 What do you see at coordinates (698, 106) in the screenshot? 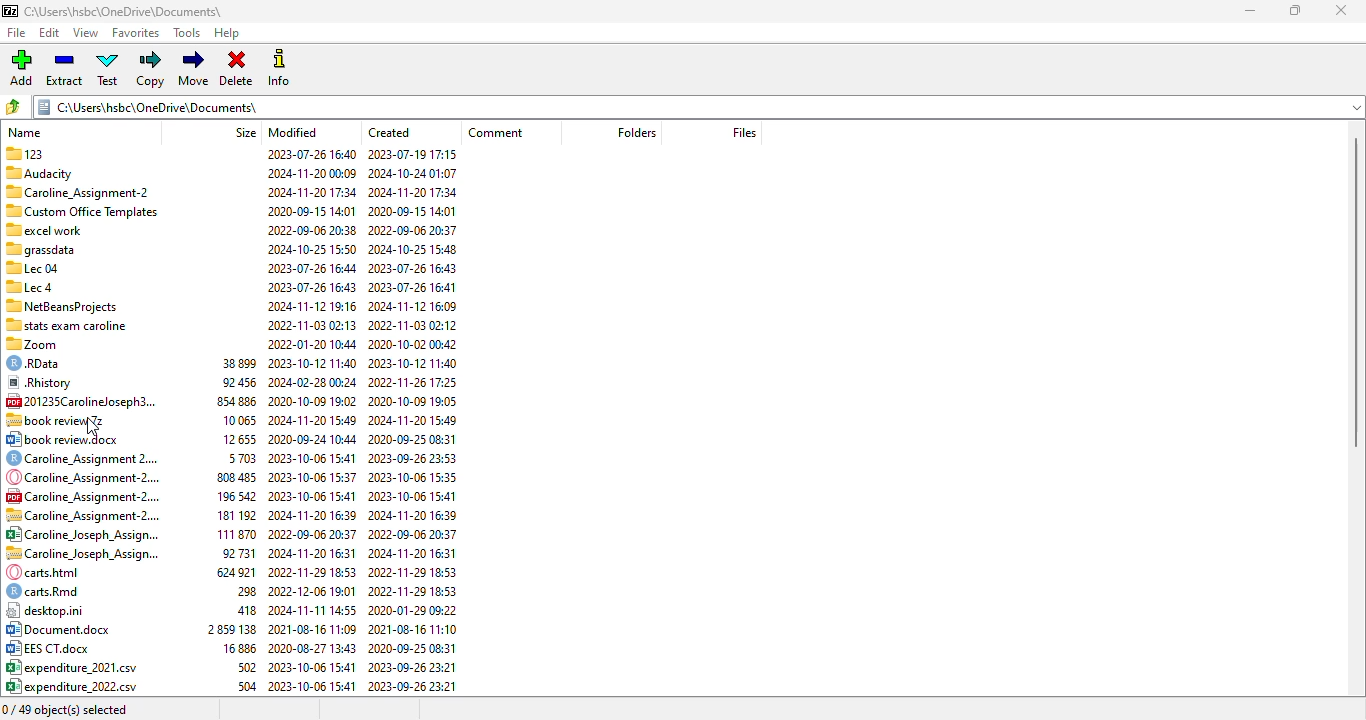
I see `current folder` at bounding box center [698, 106].